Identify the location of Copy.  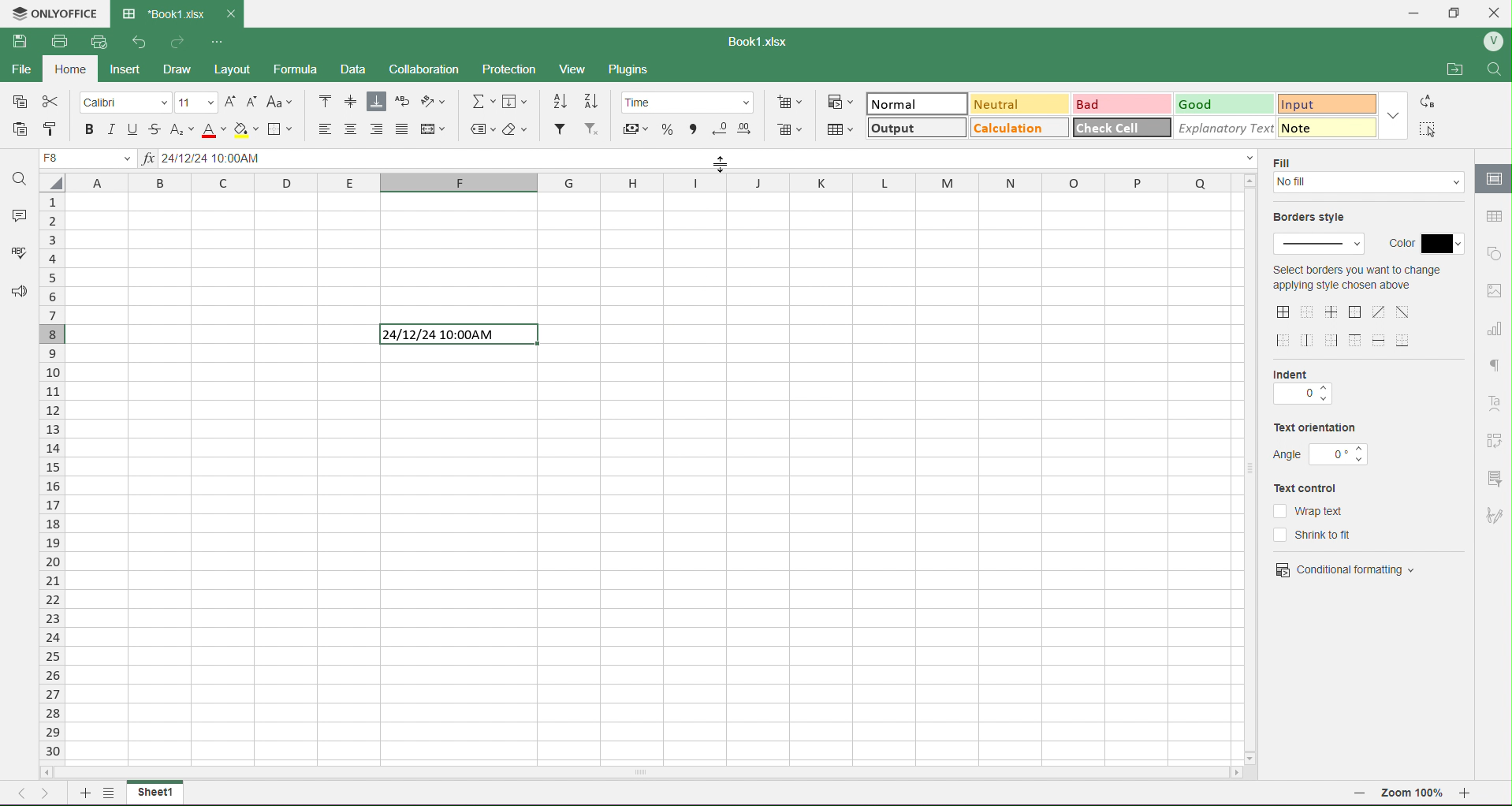
(20, 103).